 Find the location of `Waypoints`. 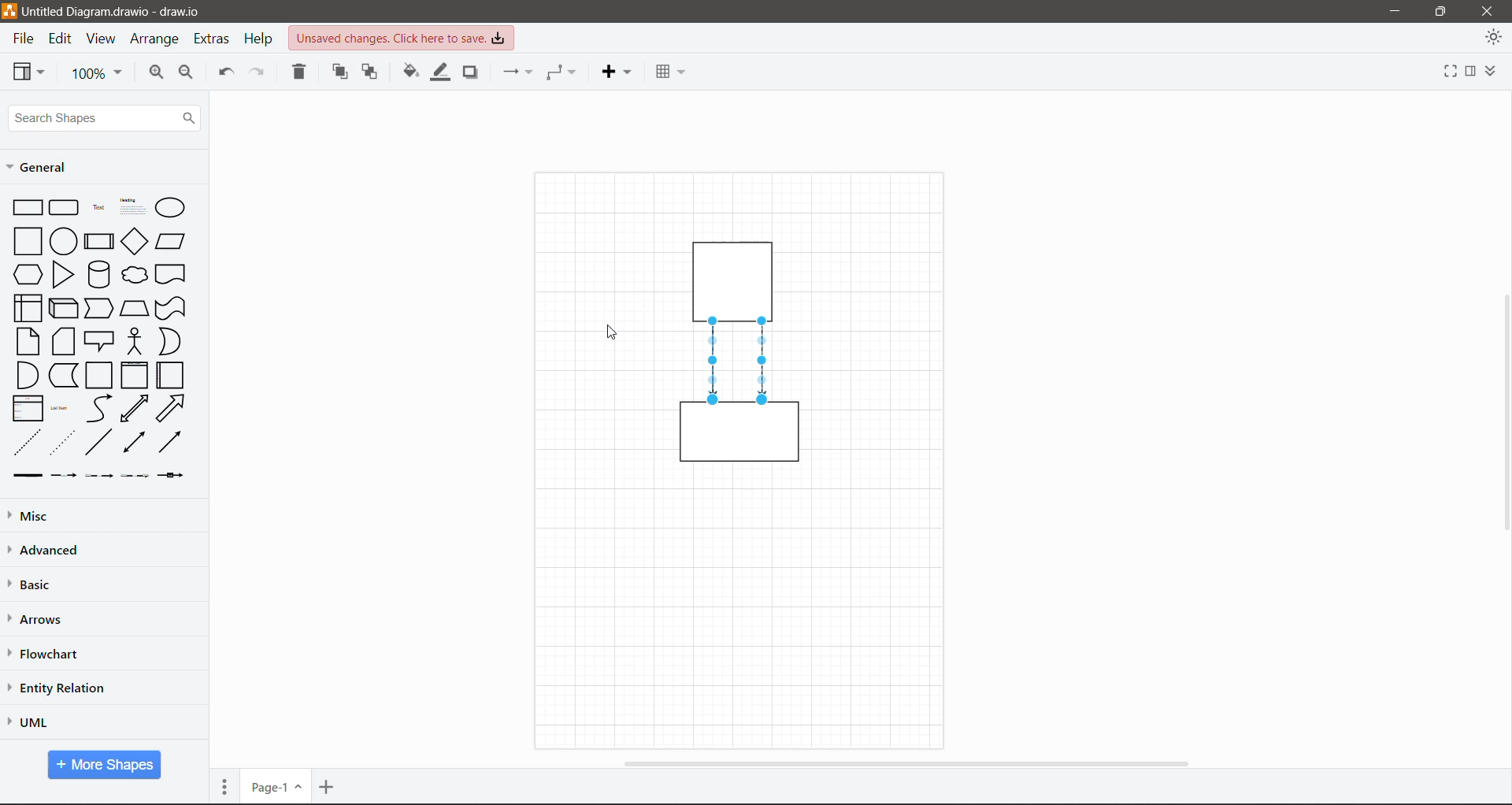

Waypoints is located at coordinates (562, 72).